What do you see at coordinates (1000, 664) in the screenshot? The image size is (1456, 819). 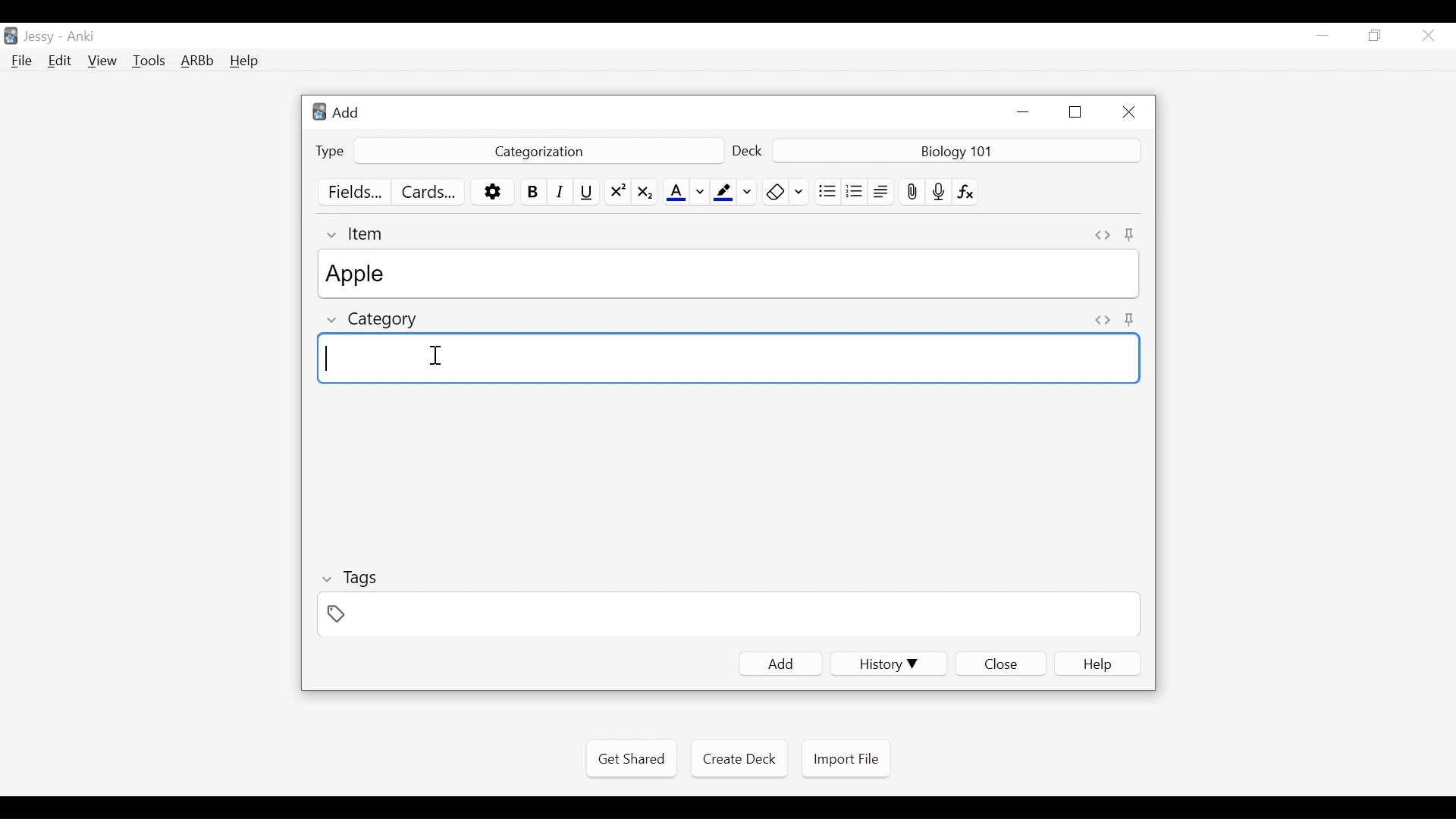 I see `Close` at bounding box center [1000, 664].